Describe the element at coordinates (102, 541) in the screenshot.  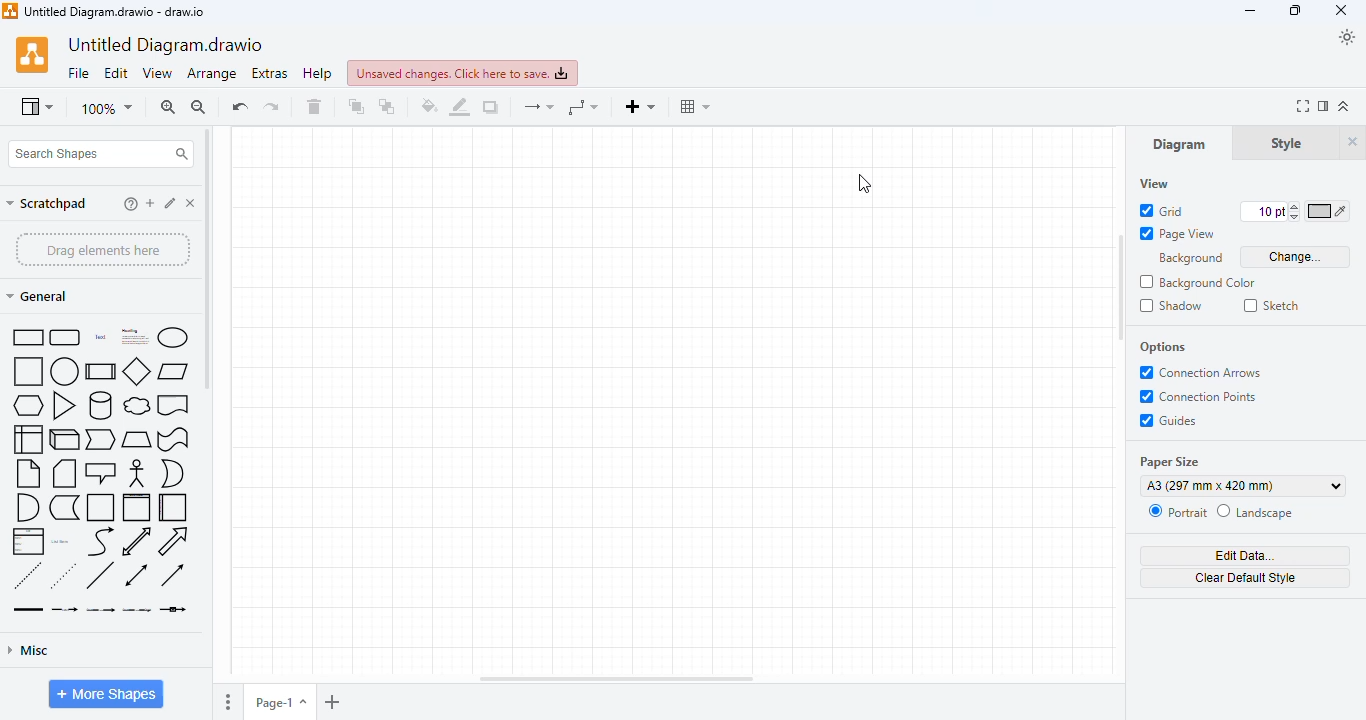
I see `curve` at that location.